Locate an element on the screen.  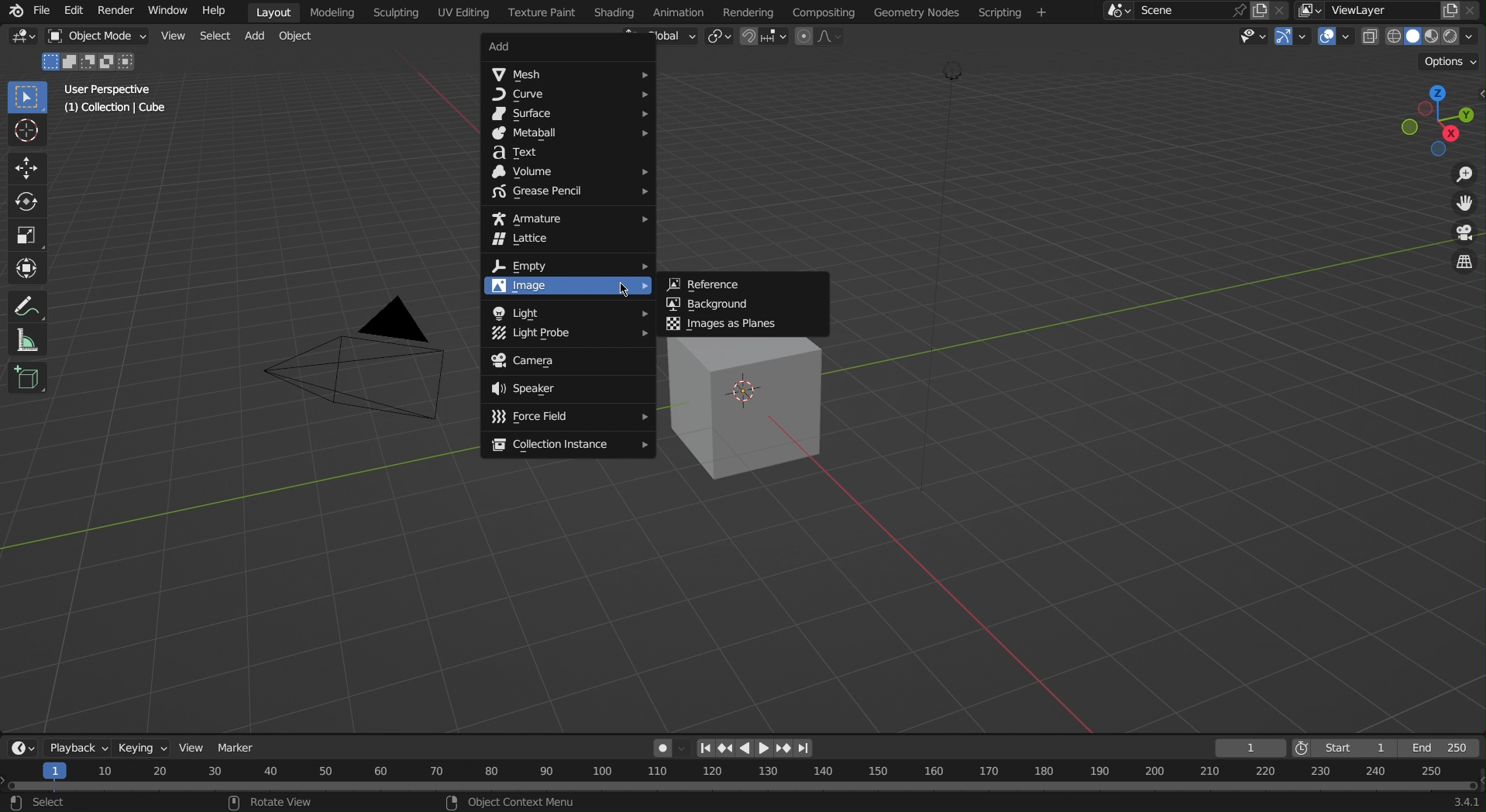
Texture Paint is located at coordinates (541, 12).